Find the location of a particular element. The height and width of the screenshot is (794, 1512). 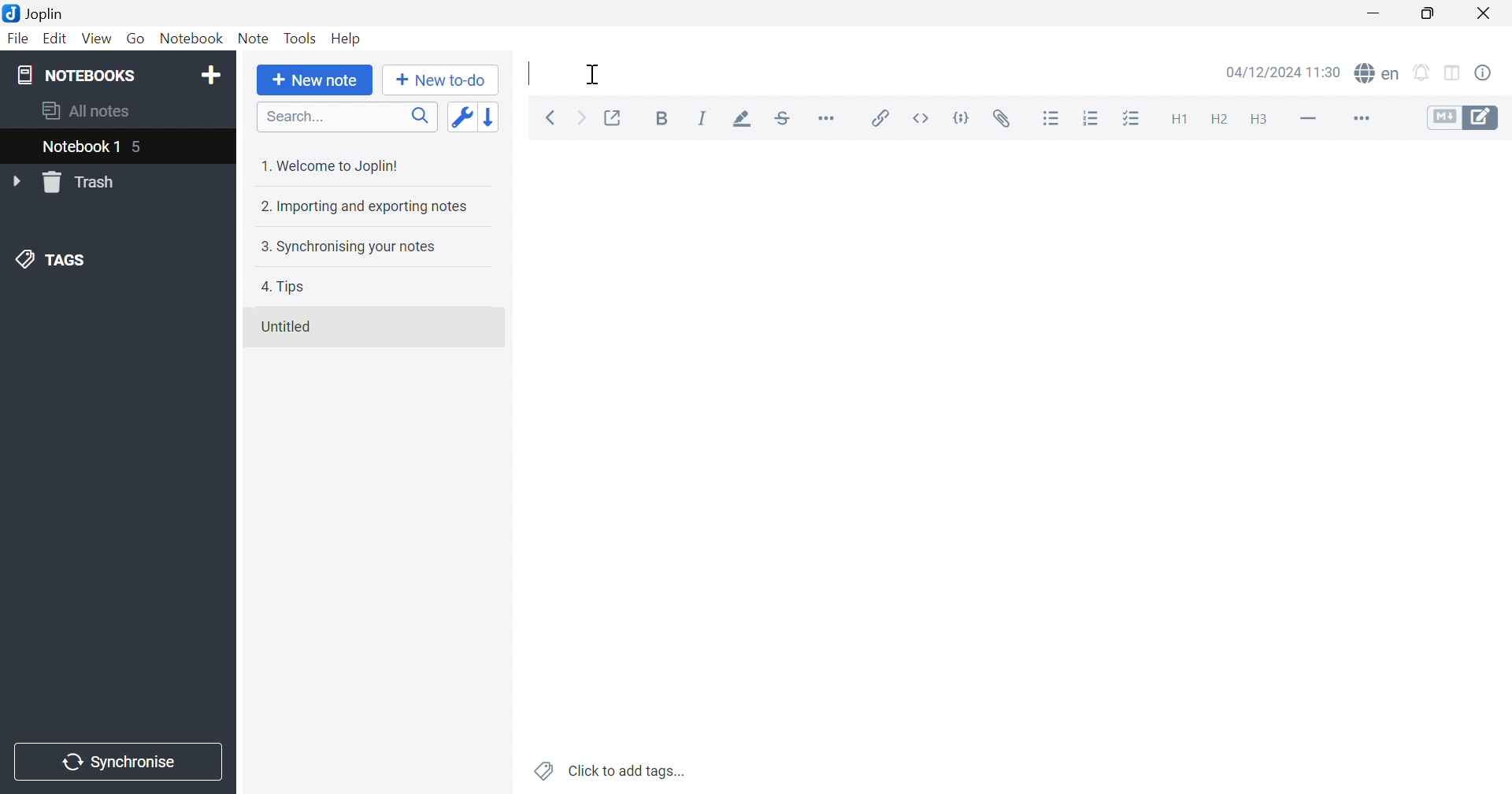

Untitled is located at coordinates (287, 328).